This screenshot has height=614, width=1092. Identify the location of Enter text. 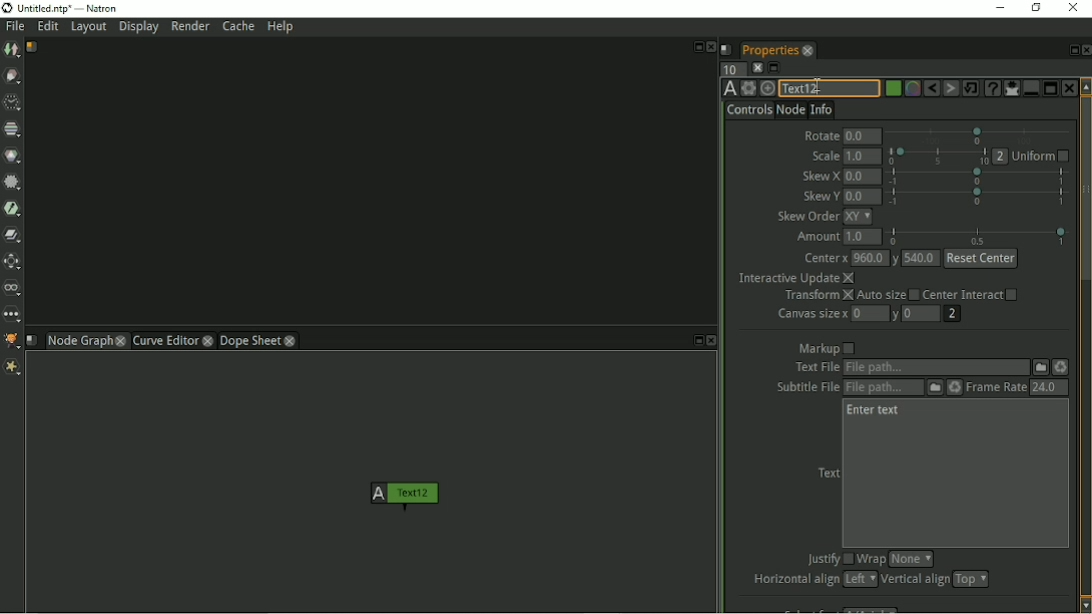
(874, 411).